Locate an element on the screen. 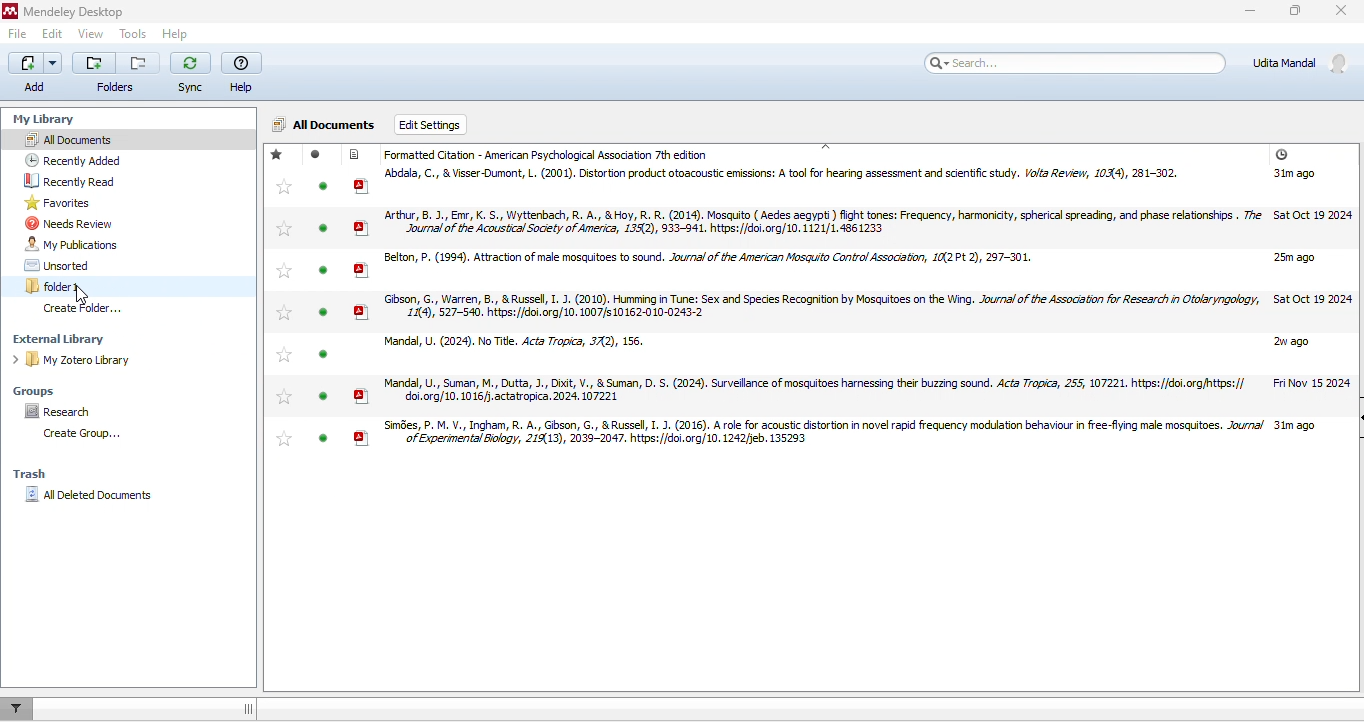  research articles is located at coordinates (851, 395).